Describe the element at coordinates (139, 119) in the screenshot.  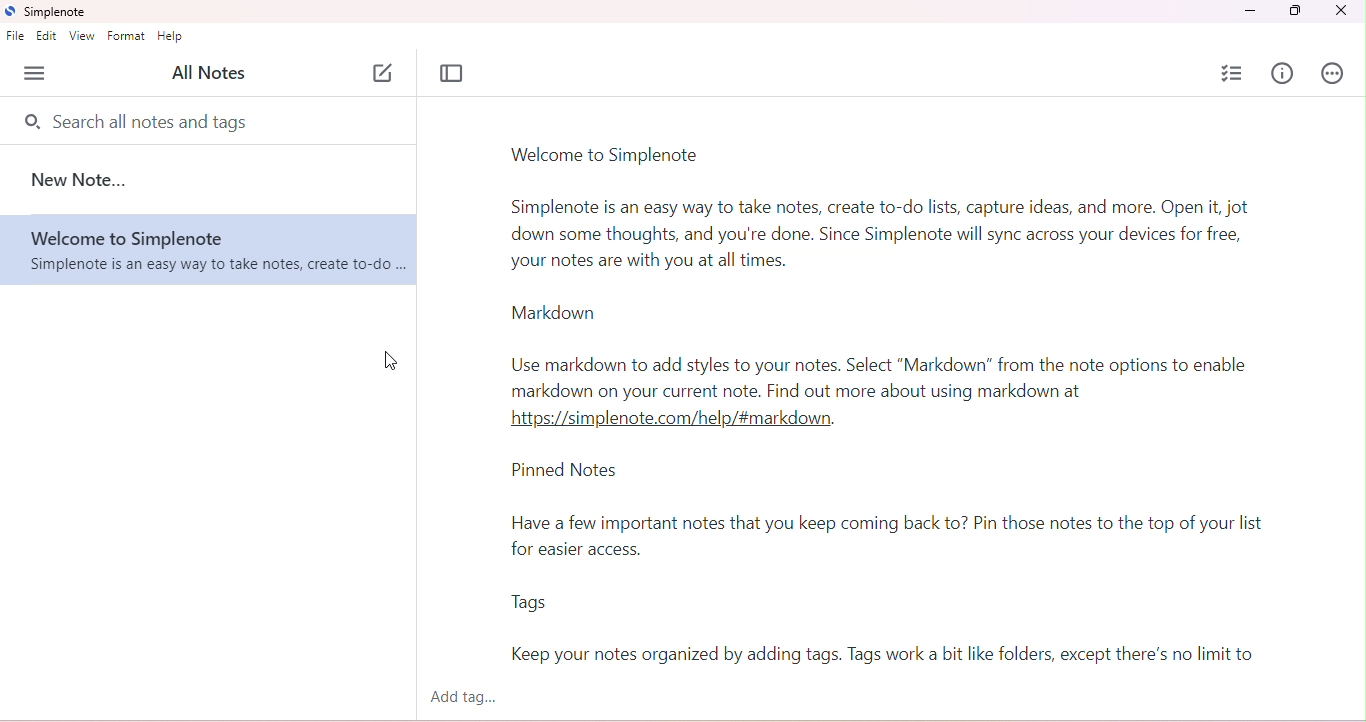
I see `search bar` at that location.